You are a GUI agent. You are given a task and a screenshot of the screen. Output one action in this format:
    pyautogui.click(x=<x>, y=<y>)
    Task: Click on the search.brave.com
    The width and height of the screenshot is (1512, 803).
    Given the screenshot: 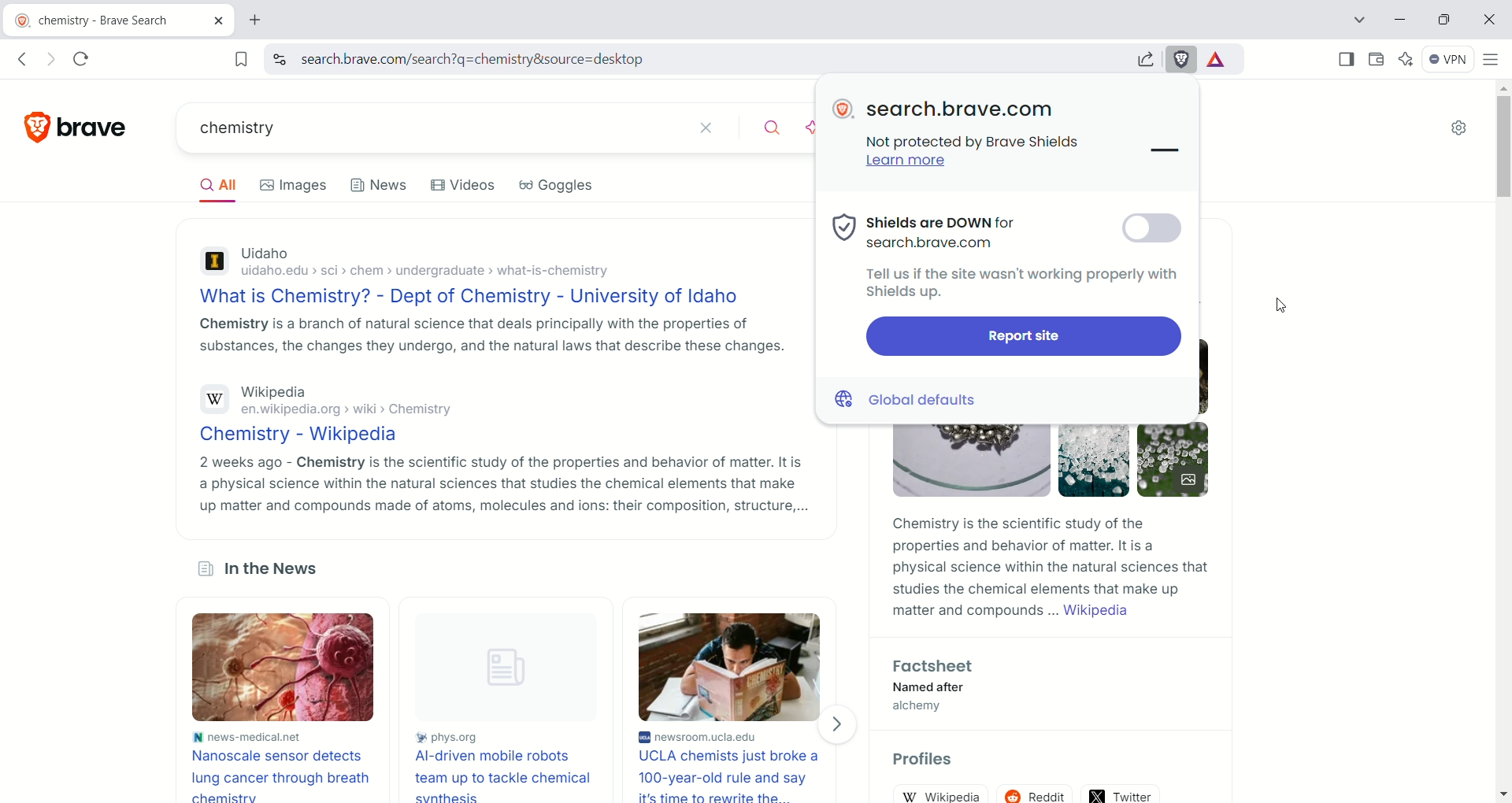 What is the action you would take?
    pyautogui.click(x=962, y=109)
    